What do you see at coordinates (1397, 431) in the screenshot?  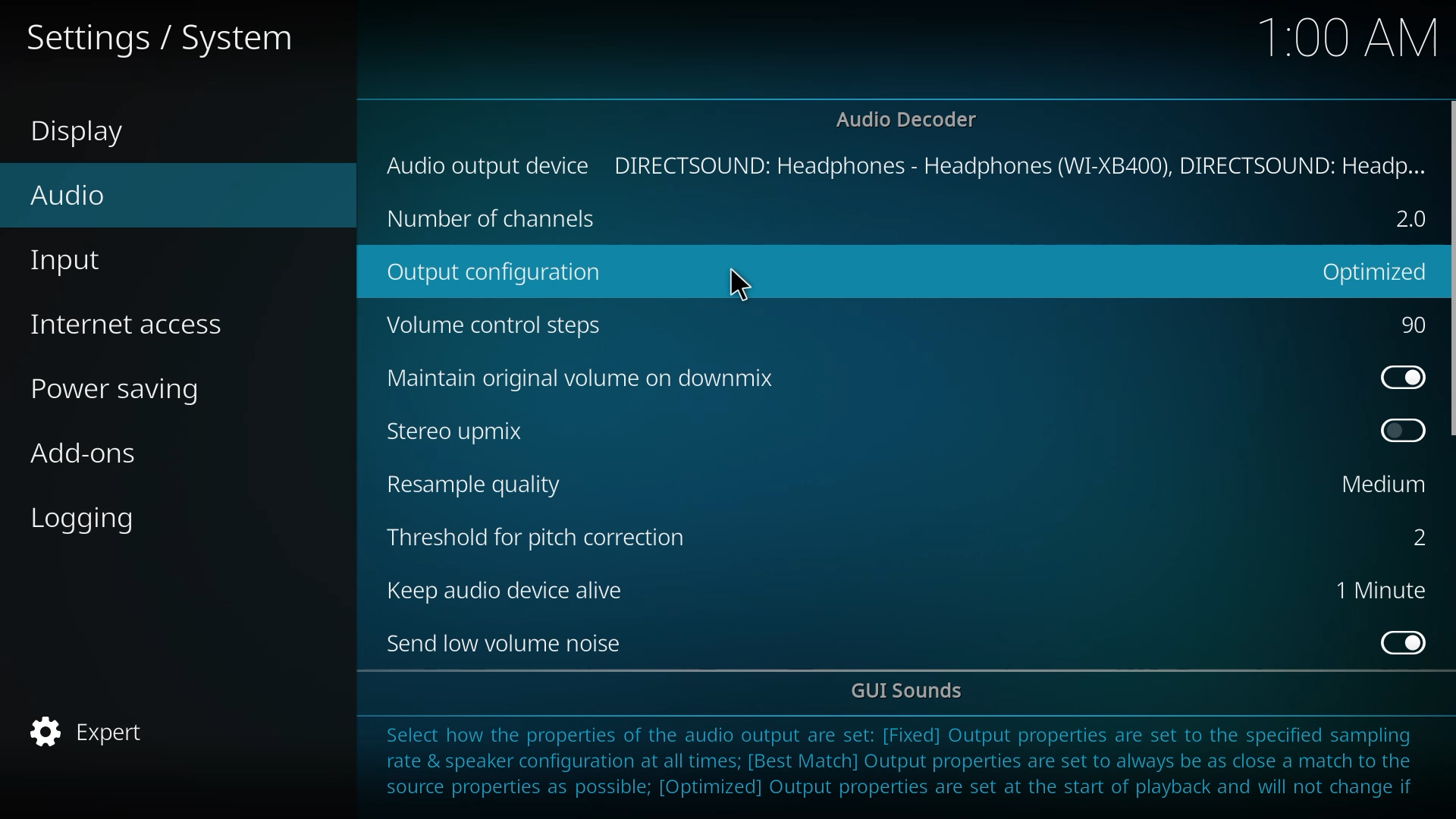 I see `enable` at bounding box center [1397, 431].